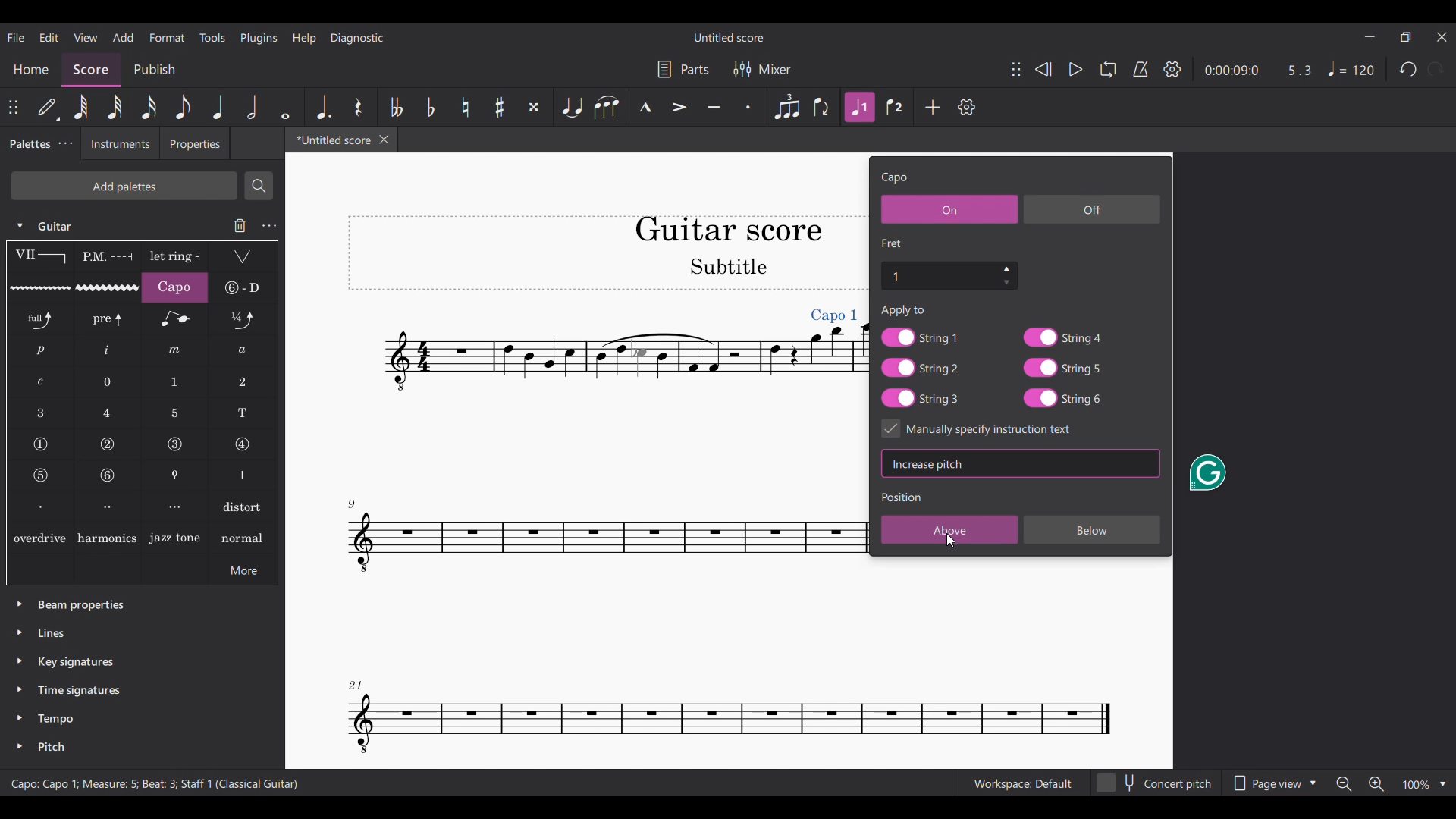 This screenshot has width=1456, height=819. I want to click on Change position, so click(1016, 69).